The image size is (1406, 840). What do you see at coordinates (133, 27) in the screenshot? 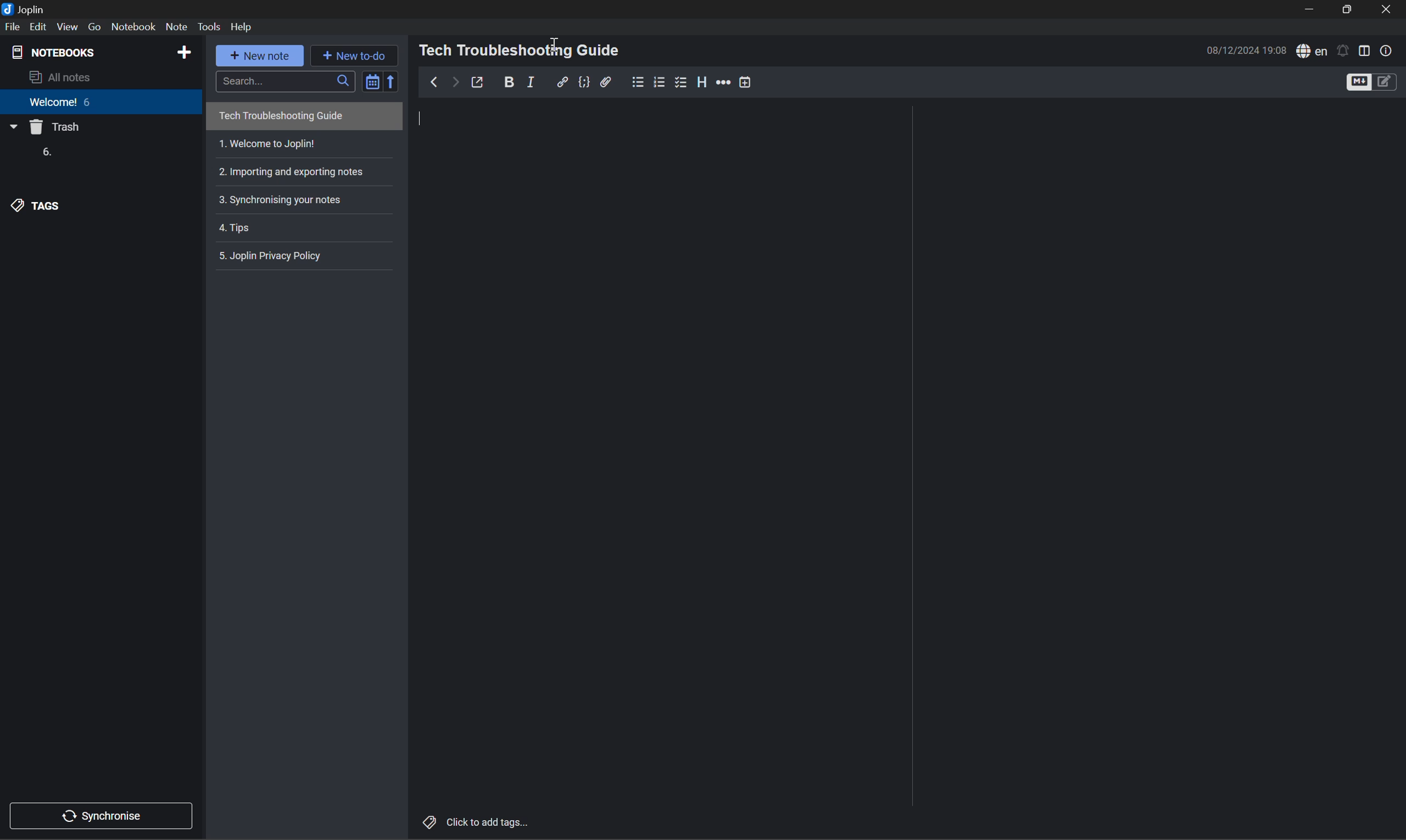
I see `Notebook` at bounding box center [133, 27].